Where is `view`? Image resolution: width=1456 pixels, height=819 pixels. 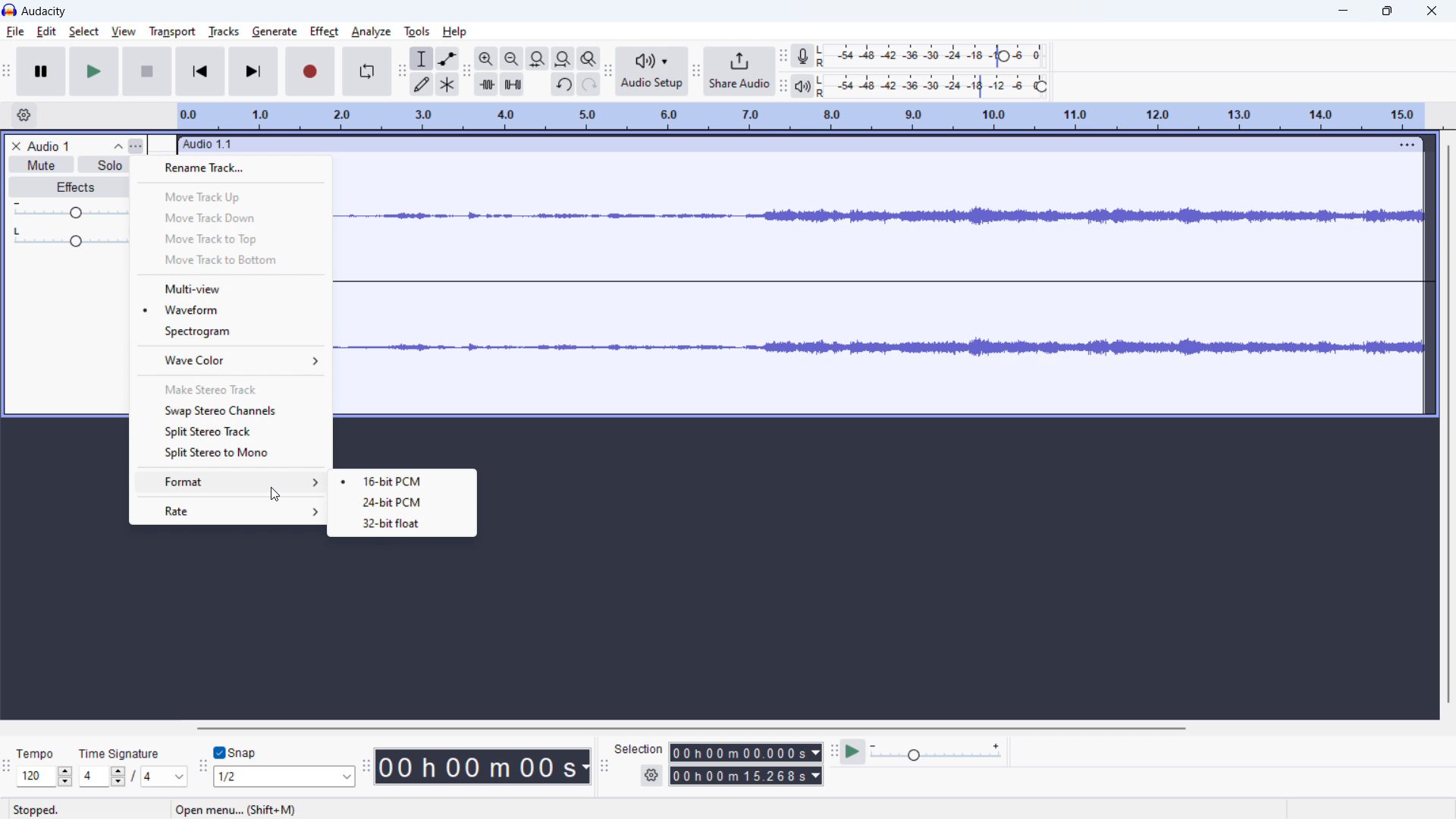 view is located at coordinates (123, 32).